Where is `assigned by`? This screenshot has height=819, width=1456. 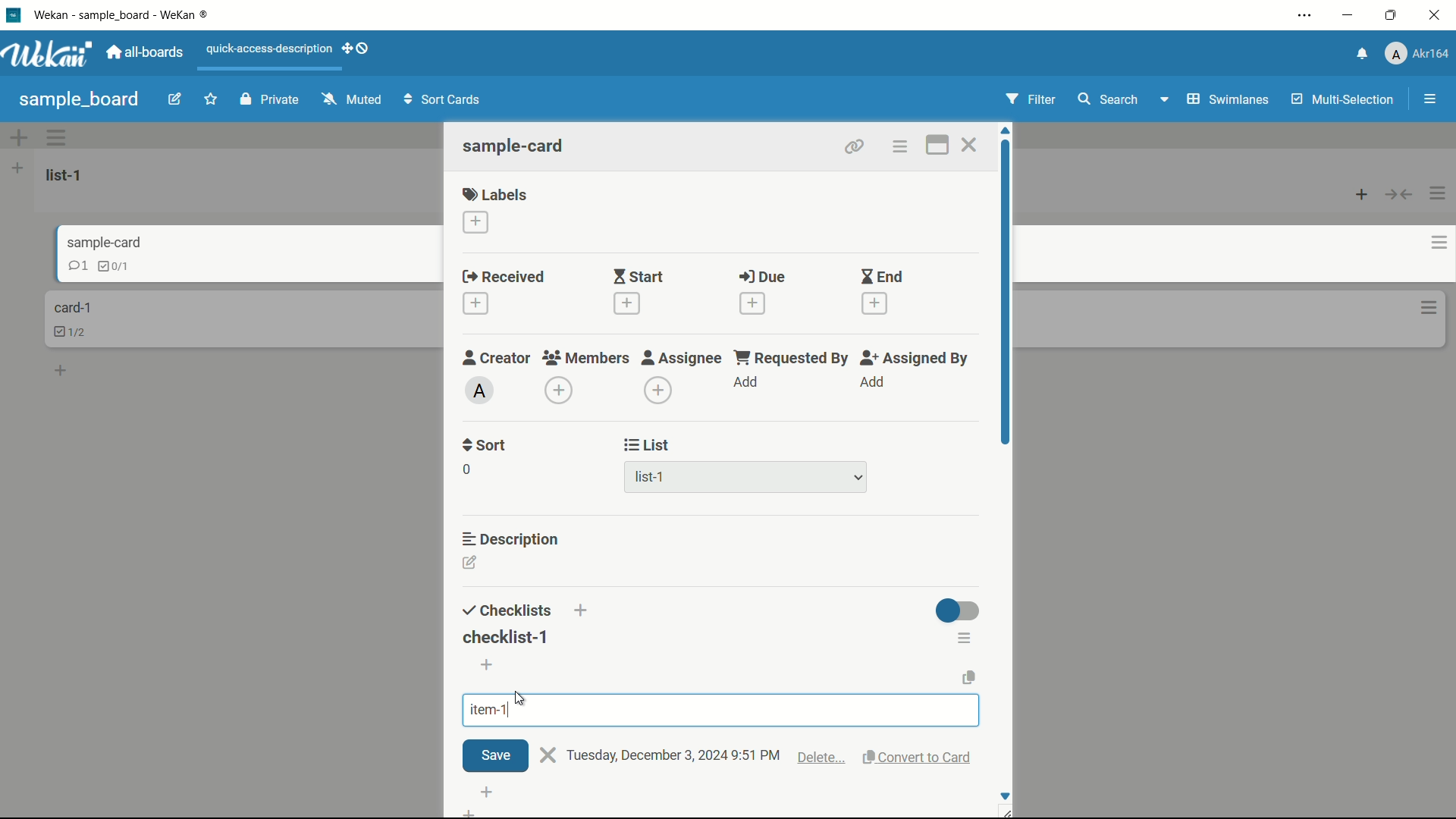
assigned by is located at coordinates (917, 358).